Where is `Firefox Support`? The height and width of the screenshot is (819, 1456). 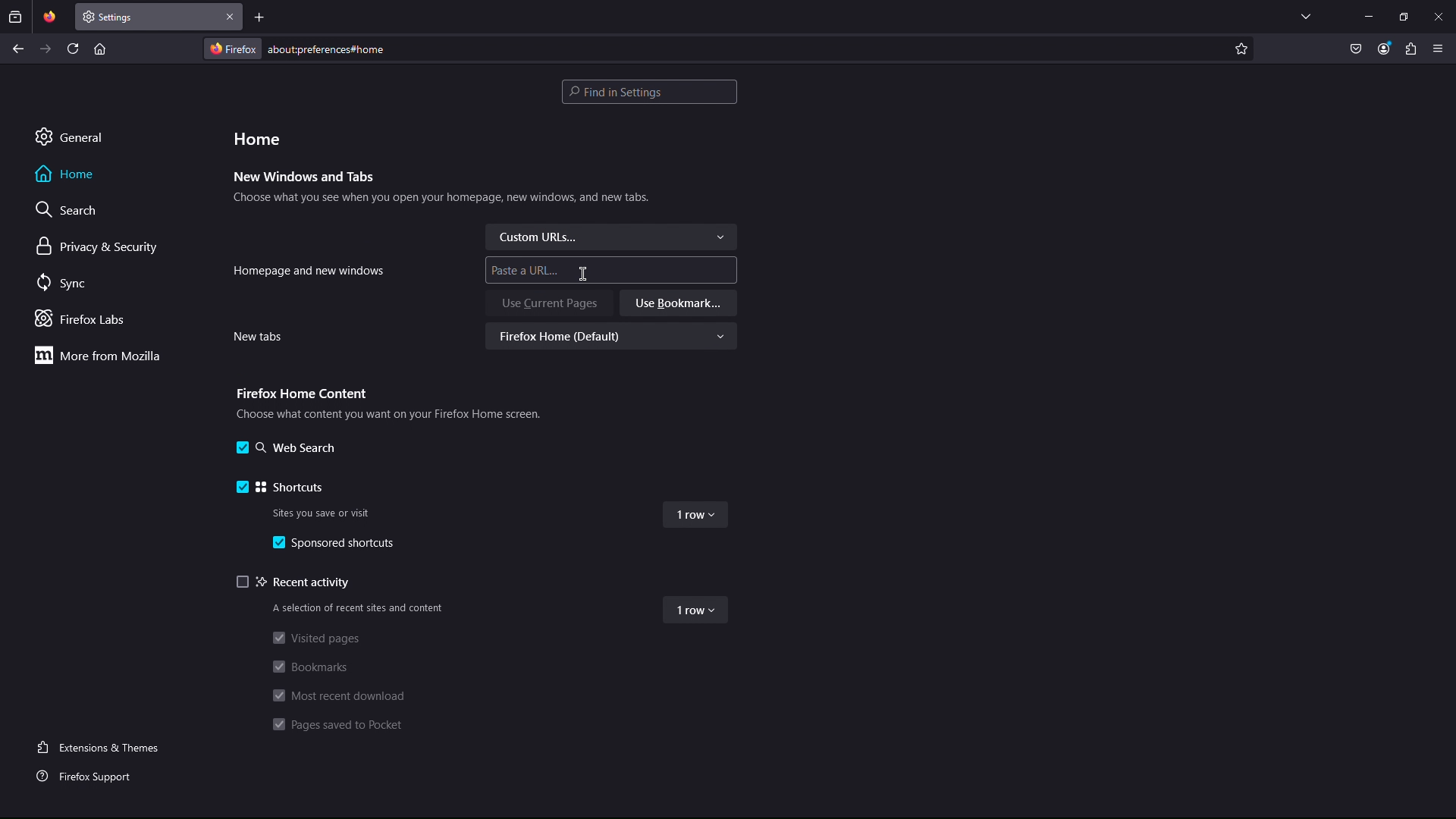 Firefox Support is located at coordinates (89, 774).